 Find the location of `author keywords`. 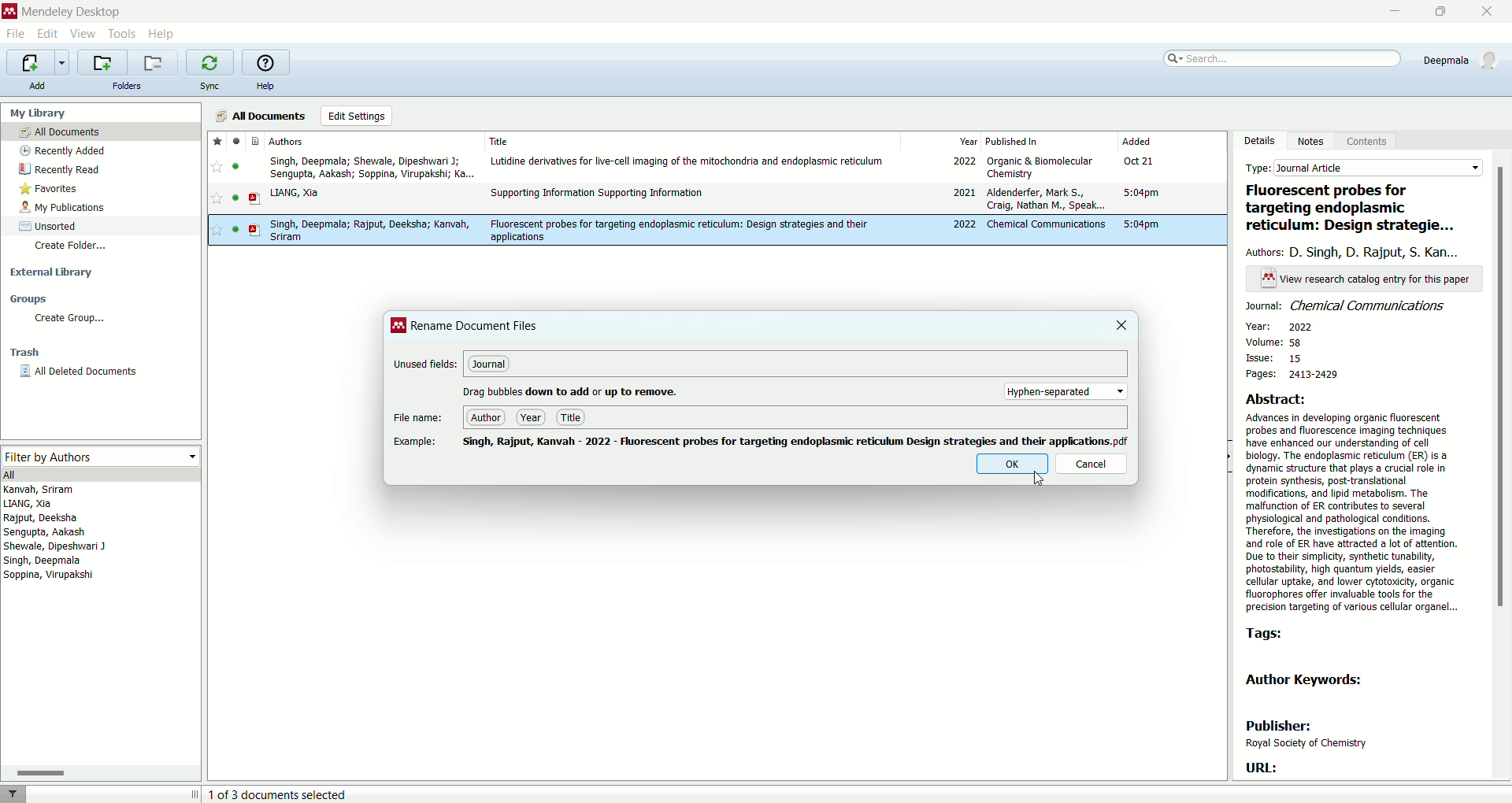

author keywords is located at coordinates (1305, 681).